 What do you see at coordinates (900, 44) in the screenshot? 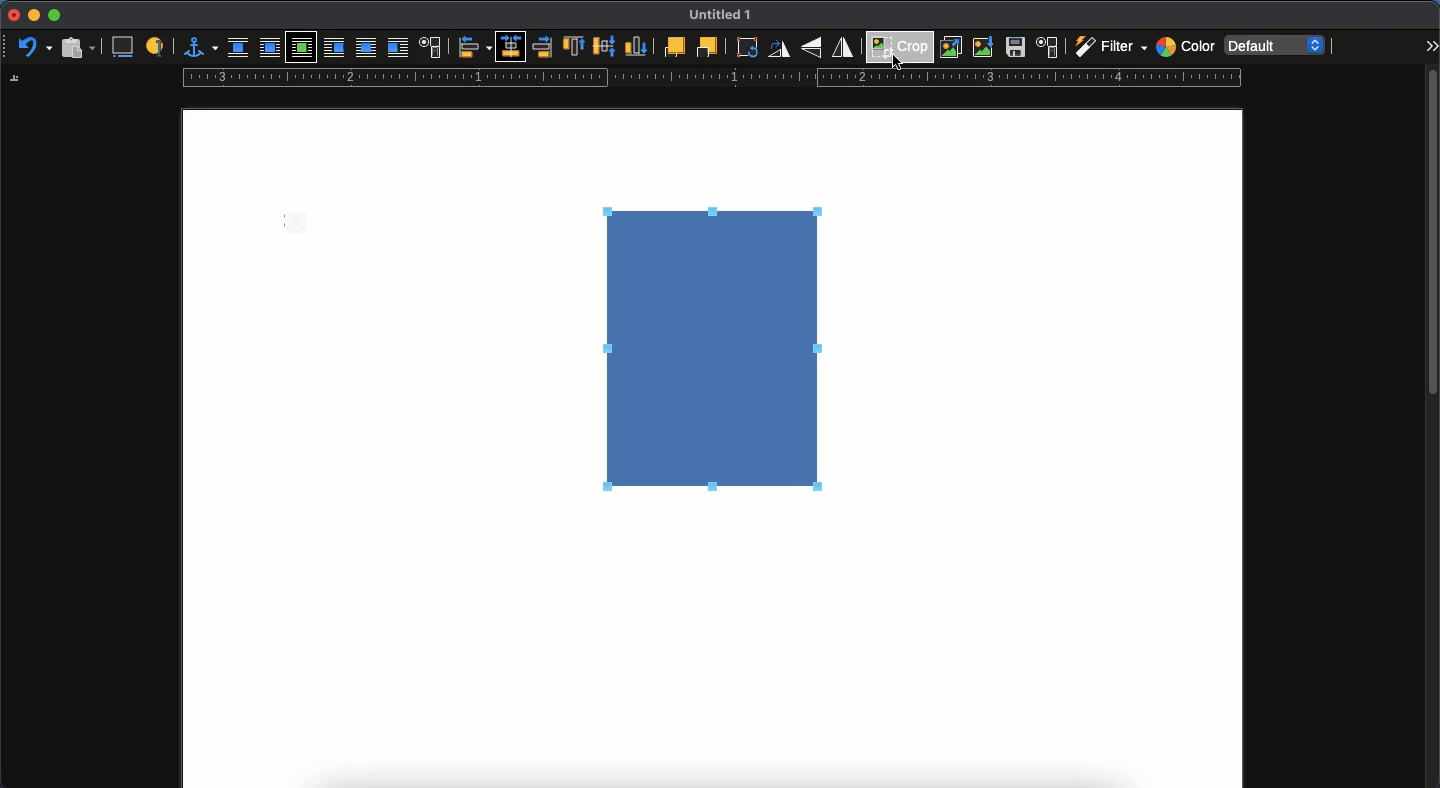
I see `crop` at bounding box center [900, 44].